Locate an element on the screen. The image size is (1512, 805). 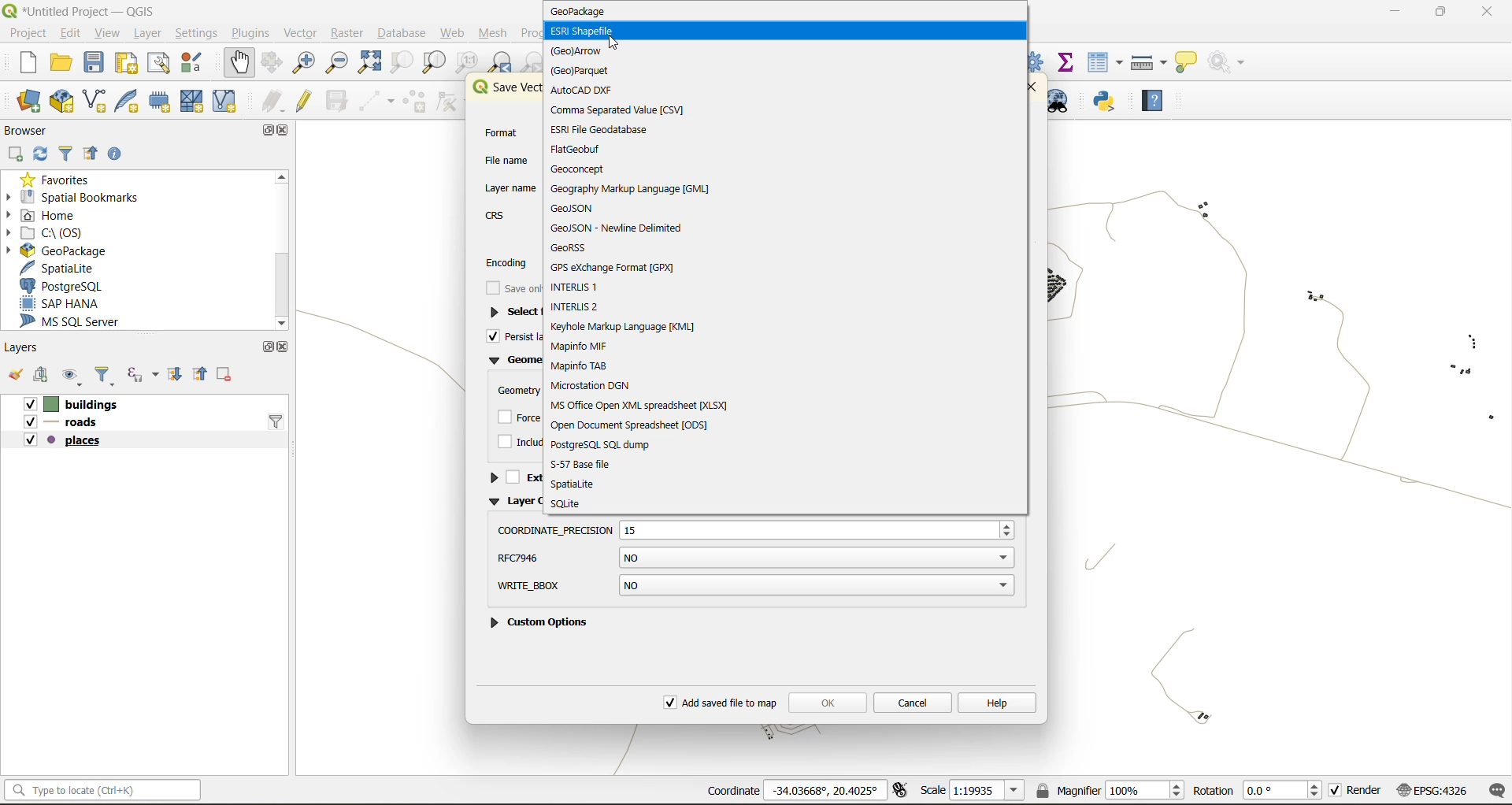
open is located at coordinates (16, 376).